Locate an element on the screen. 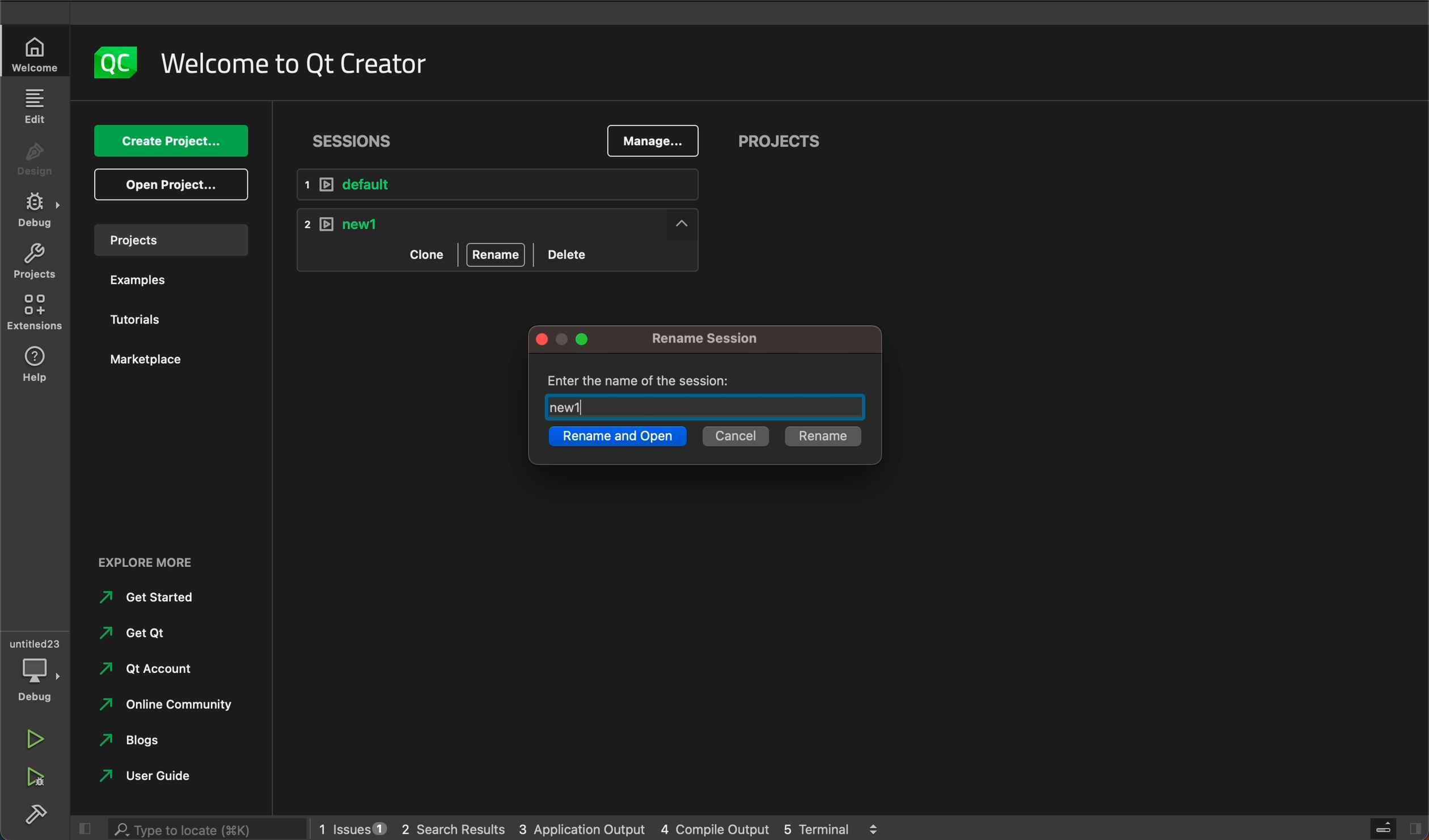 The width and height of the screenshot is (1429, 840). enter name  is located at coordinates (709, 394).